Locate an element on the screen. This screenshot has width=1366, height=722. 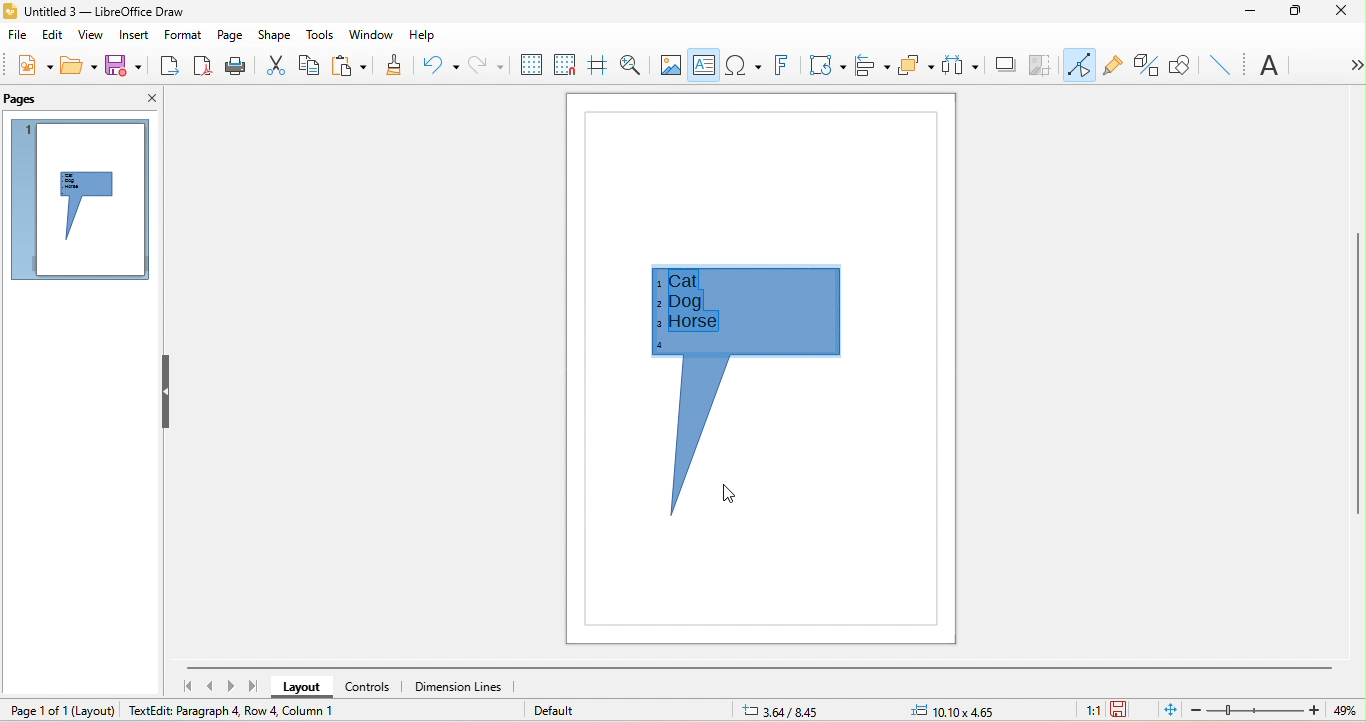
page 1 is located at coordinates (76, 199).